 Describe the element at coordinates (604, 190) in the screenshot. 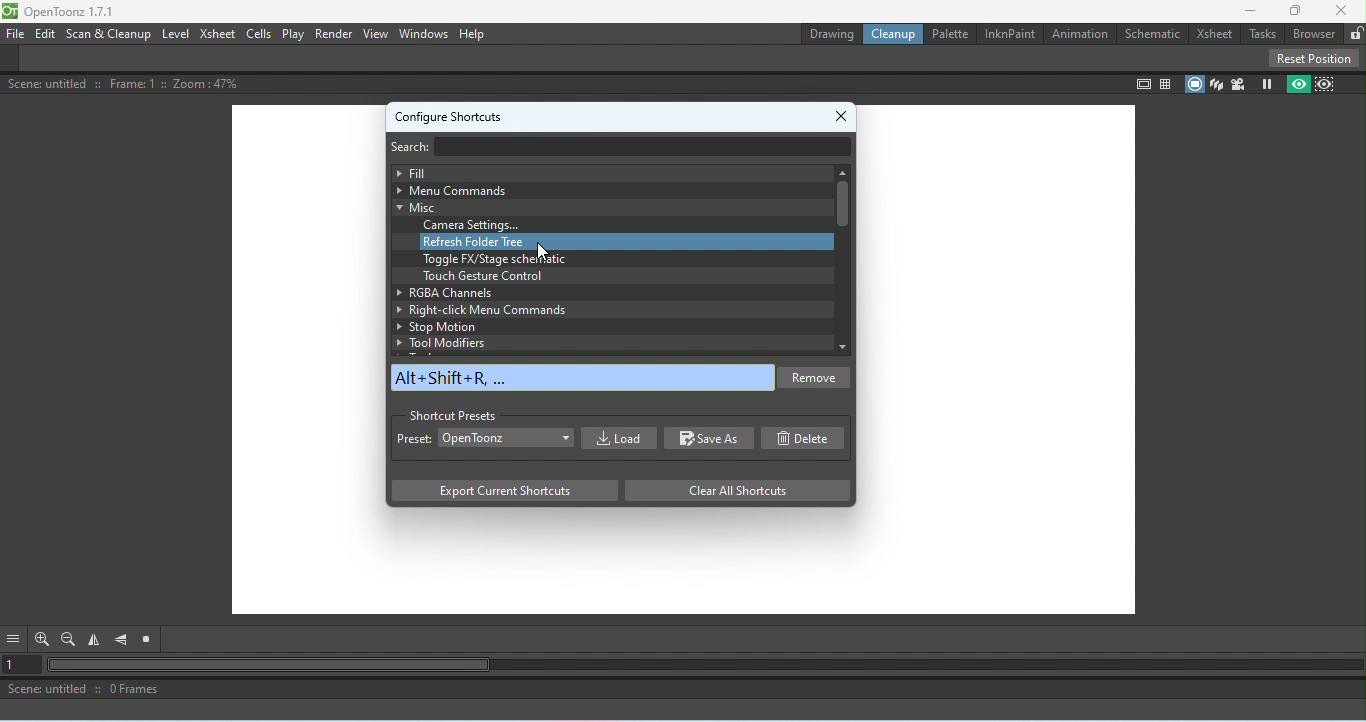

I see `Menu Commands` at that location.